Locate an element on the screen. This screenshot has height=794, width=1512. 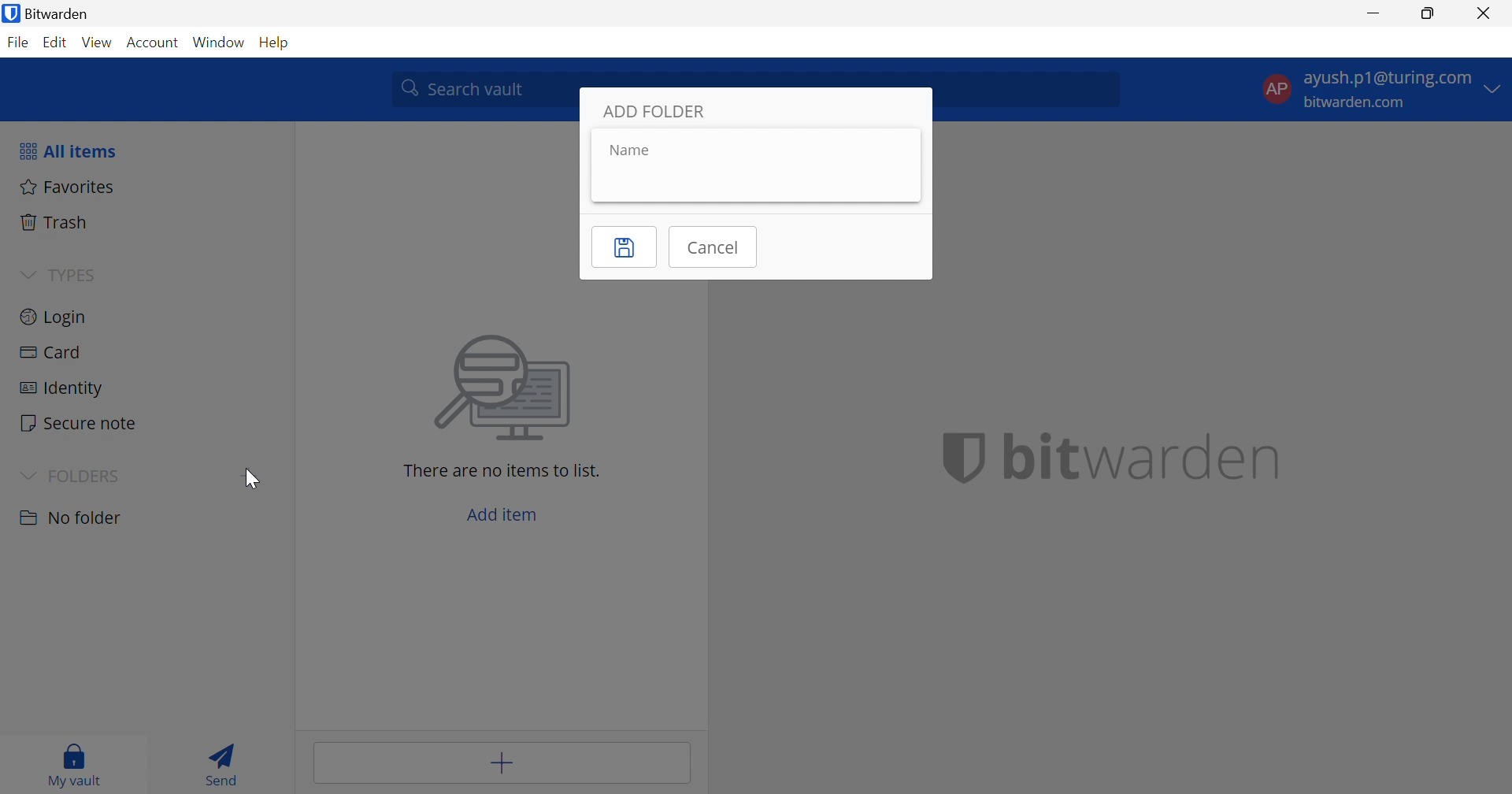
File is located at coordinates (18, 39).